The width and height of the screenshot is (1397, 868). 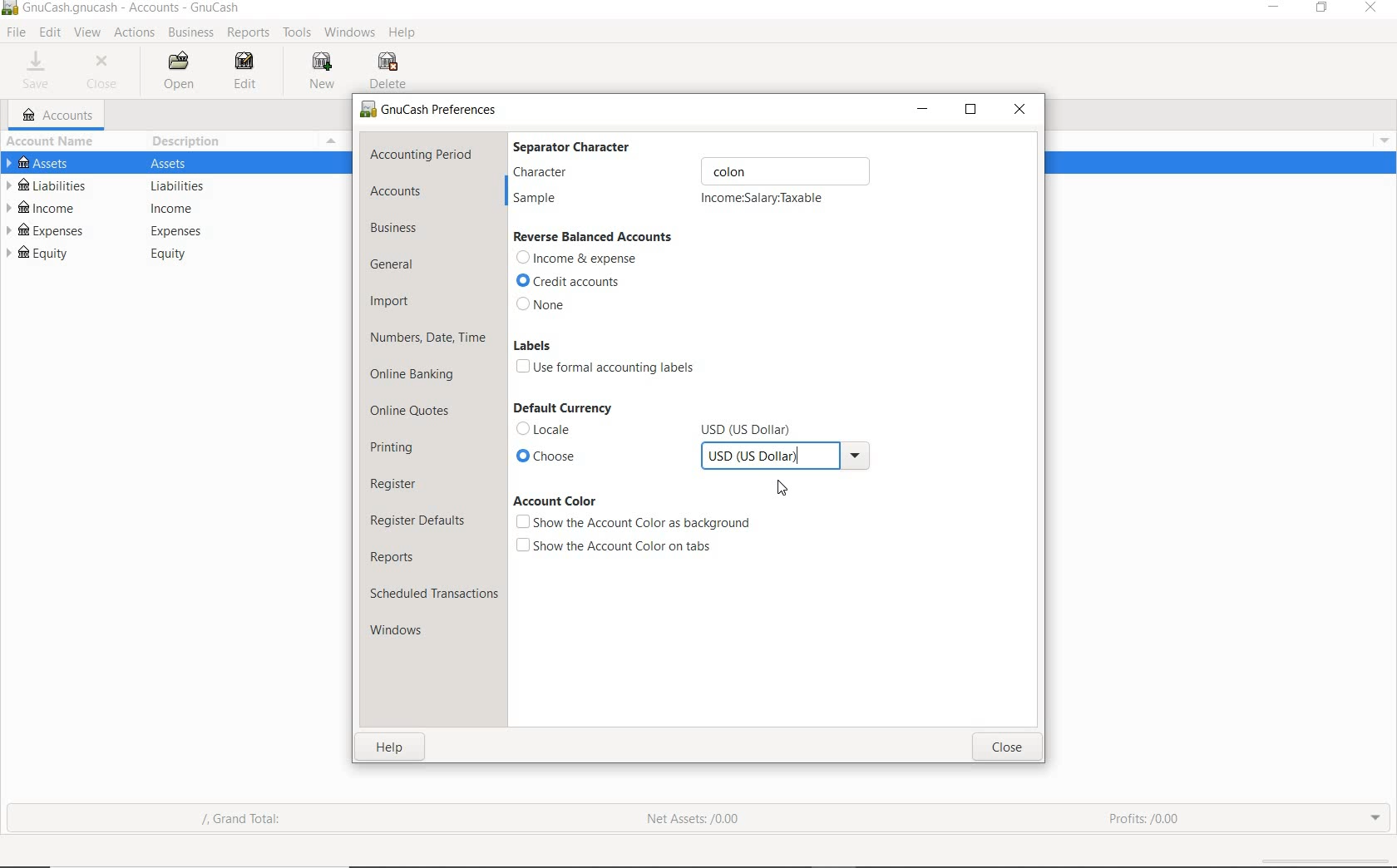 I want to click on account color, so click(x=554, y=501).